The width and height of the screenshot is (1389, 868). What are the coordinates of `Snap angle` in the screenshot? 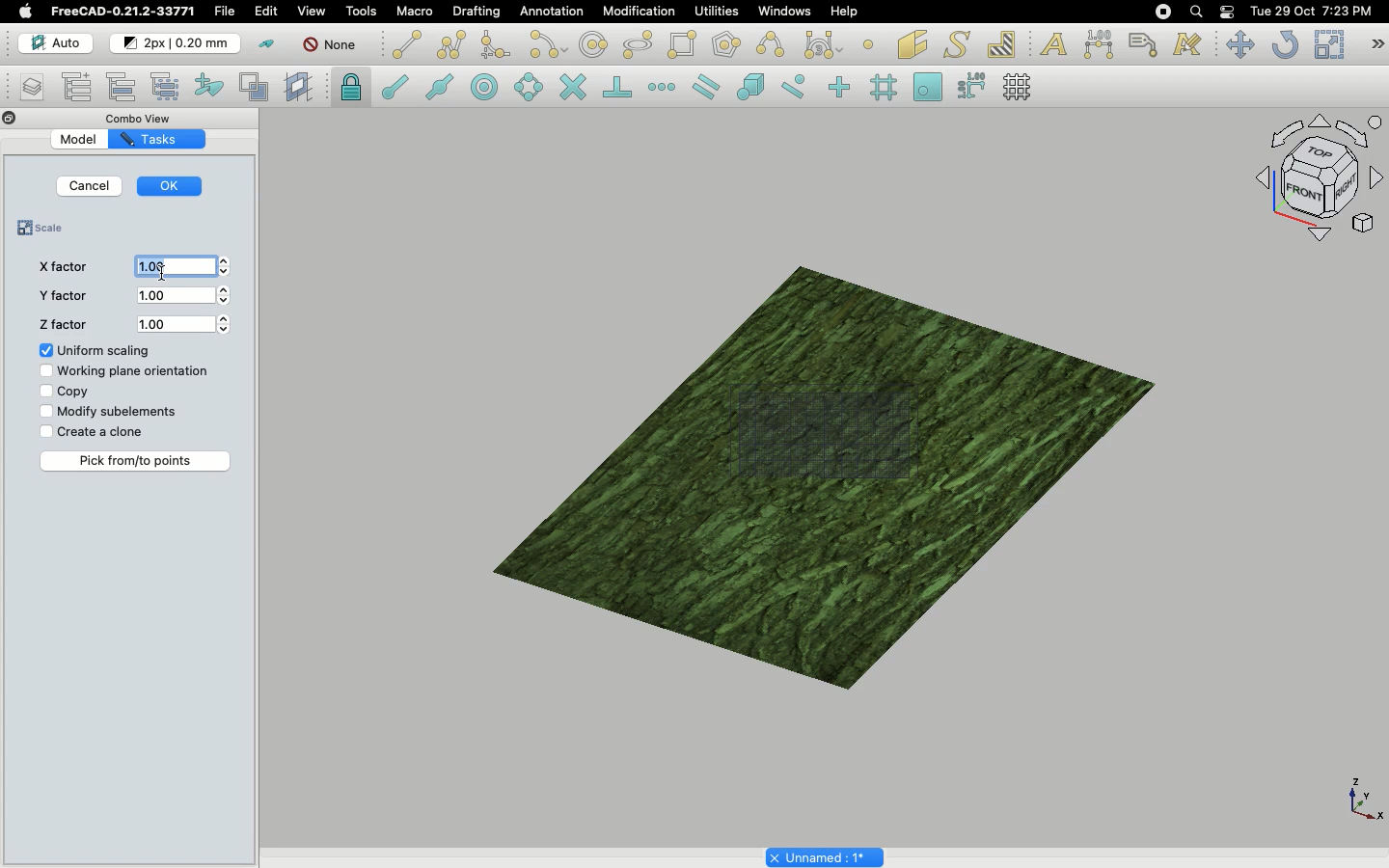 It's located at (524, 86).